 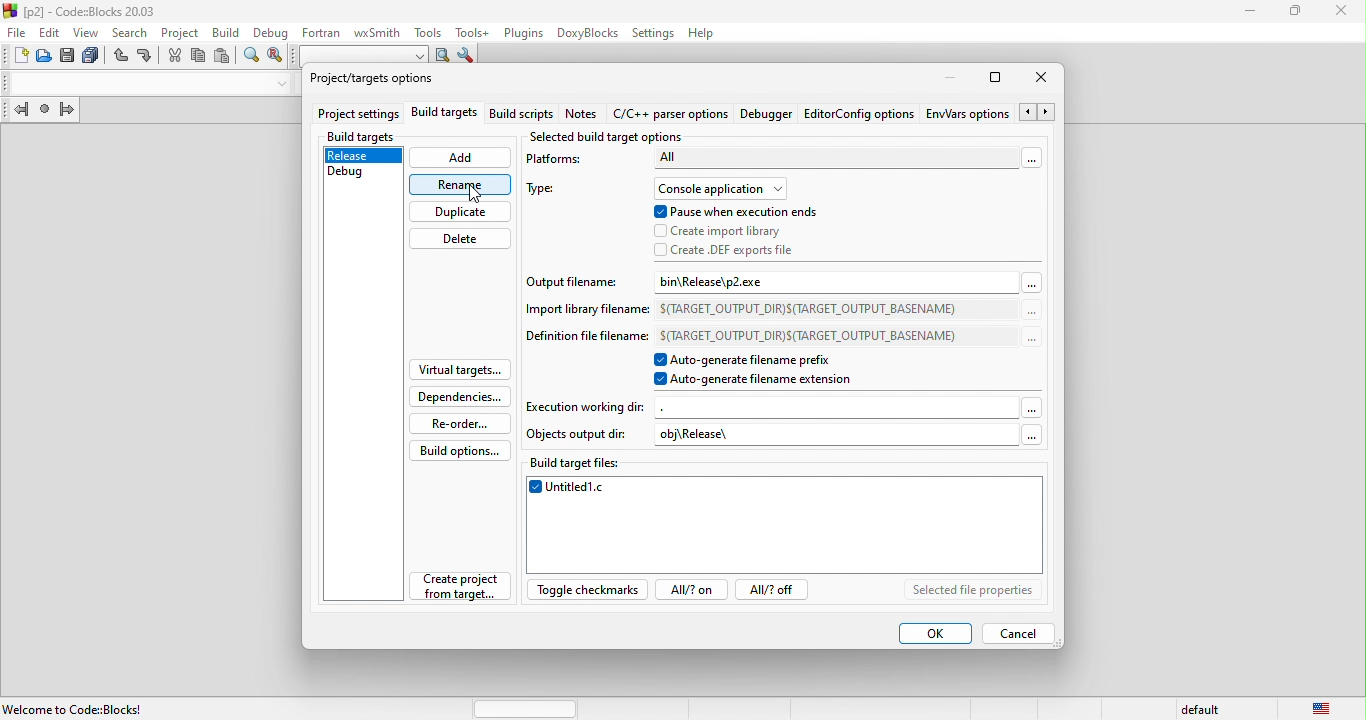 What do you see at coordinates (461, 158) in the screenshot?
I see `add` at bounding box center [461, 158].